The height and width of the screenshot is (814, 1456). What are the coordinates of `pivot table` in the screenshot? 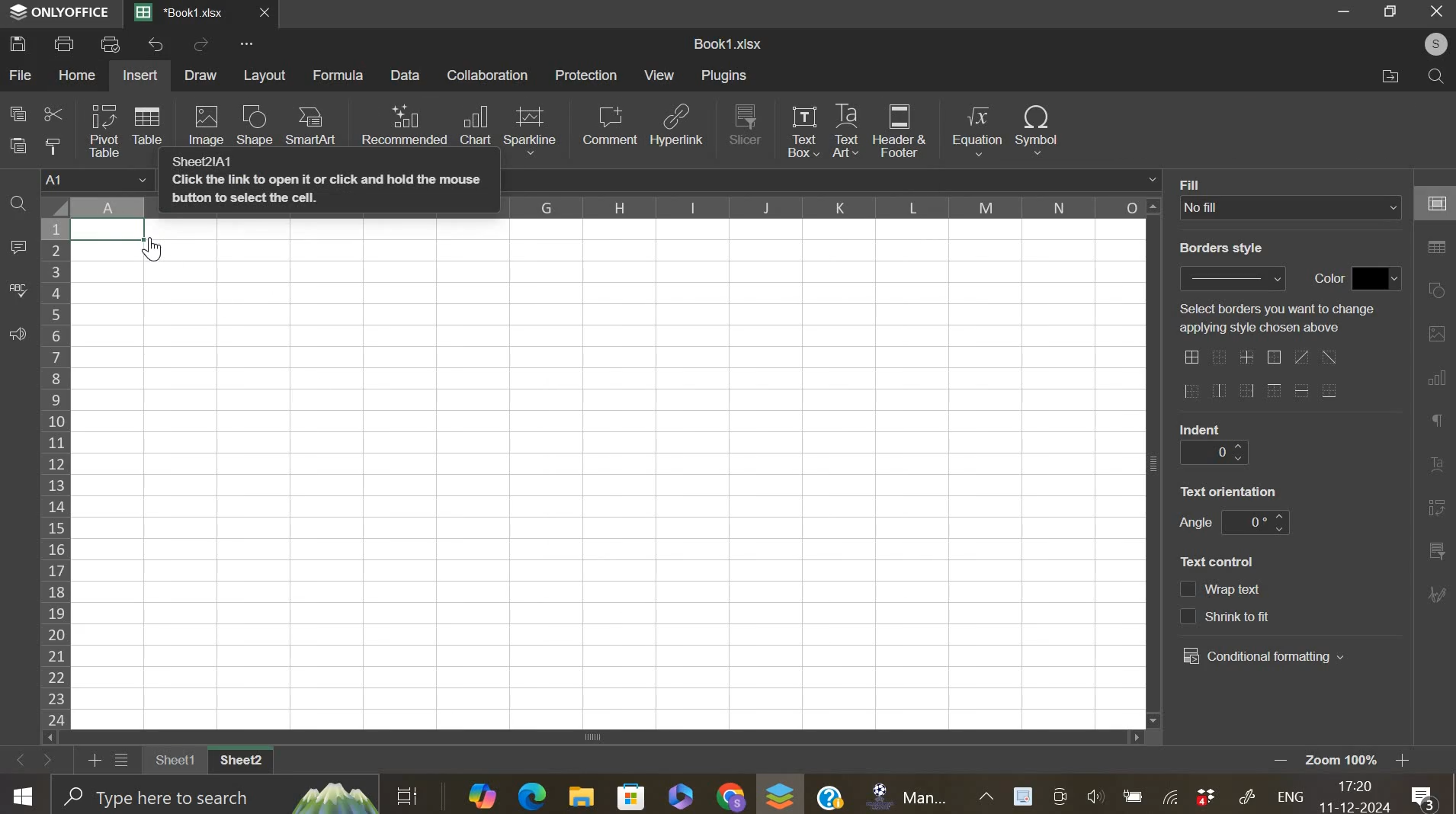 It's located at (104, 131).